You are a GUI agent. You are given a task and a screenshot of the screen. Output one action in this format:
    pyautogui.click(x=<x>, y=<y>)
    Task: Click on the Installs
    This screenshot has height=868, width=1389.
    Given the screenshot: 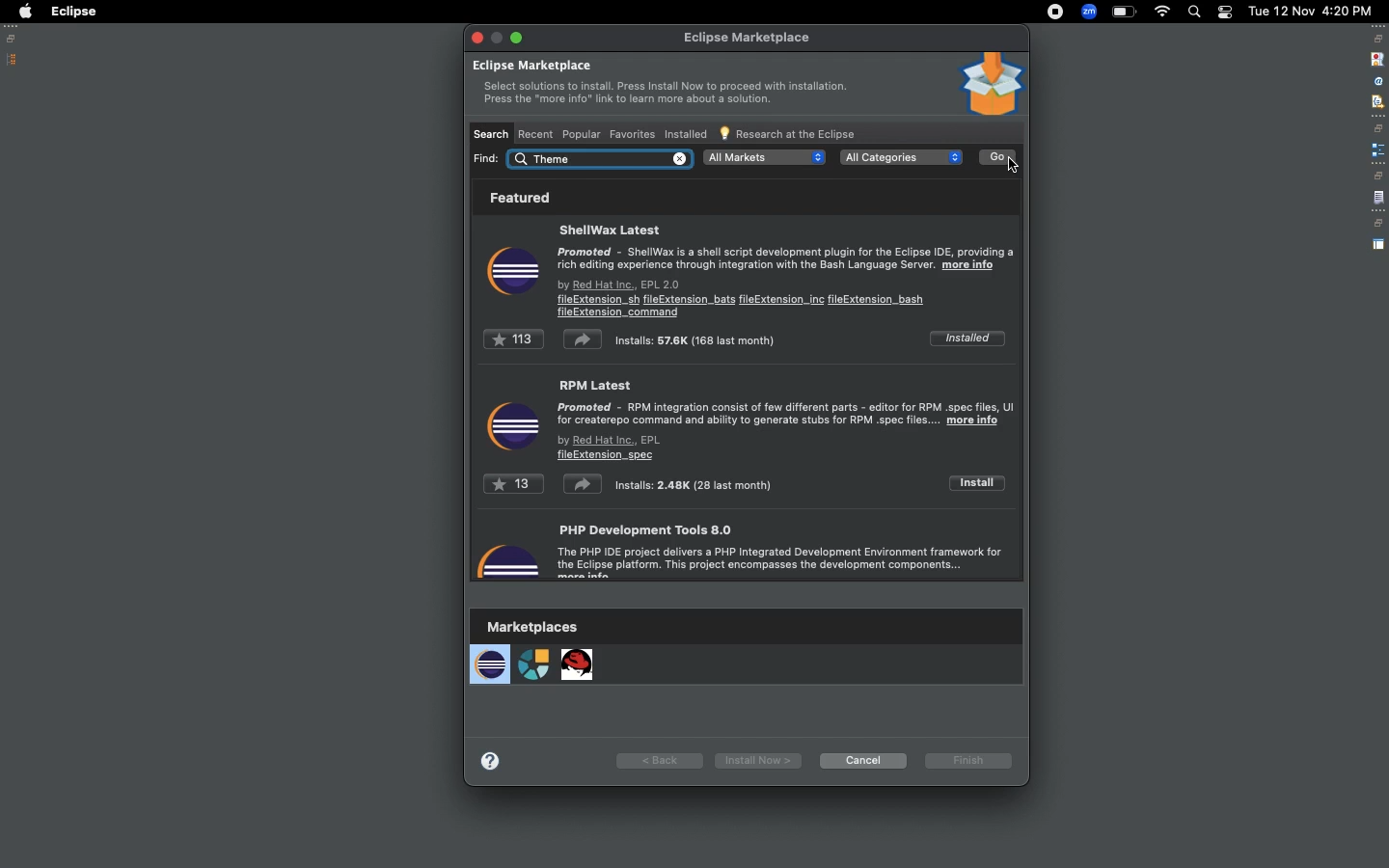 What is the action you would take?
    pyautogui.click(x=641, y=339)
    